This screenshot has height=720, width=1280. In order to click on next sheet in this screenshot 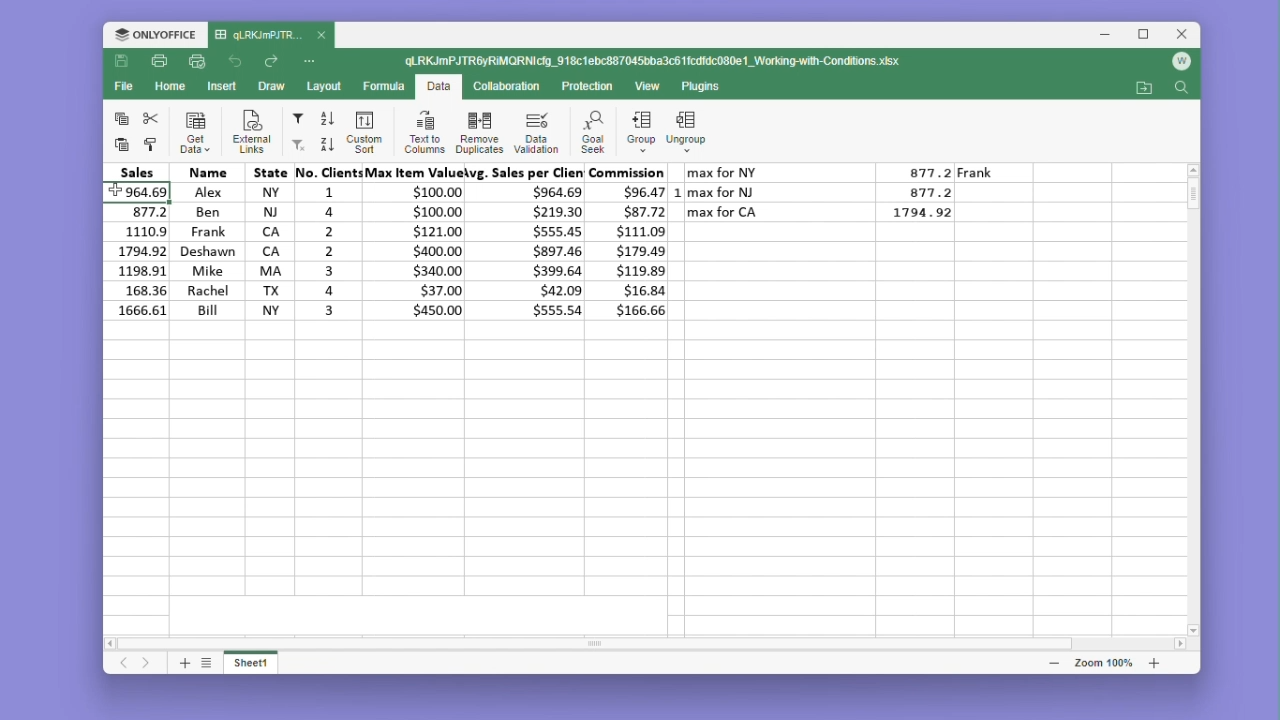, I will do `click(148, 664)`.